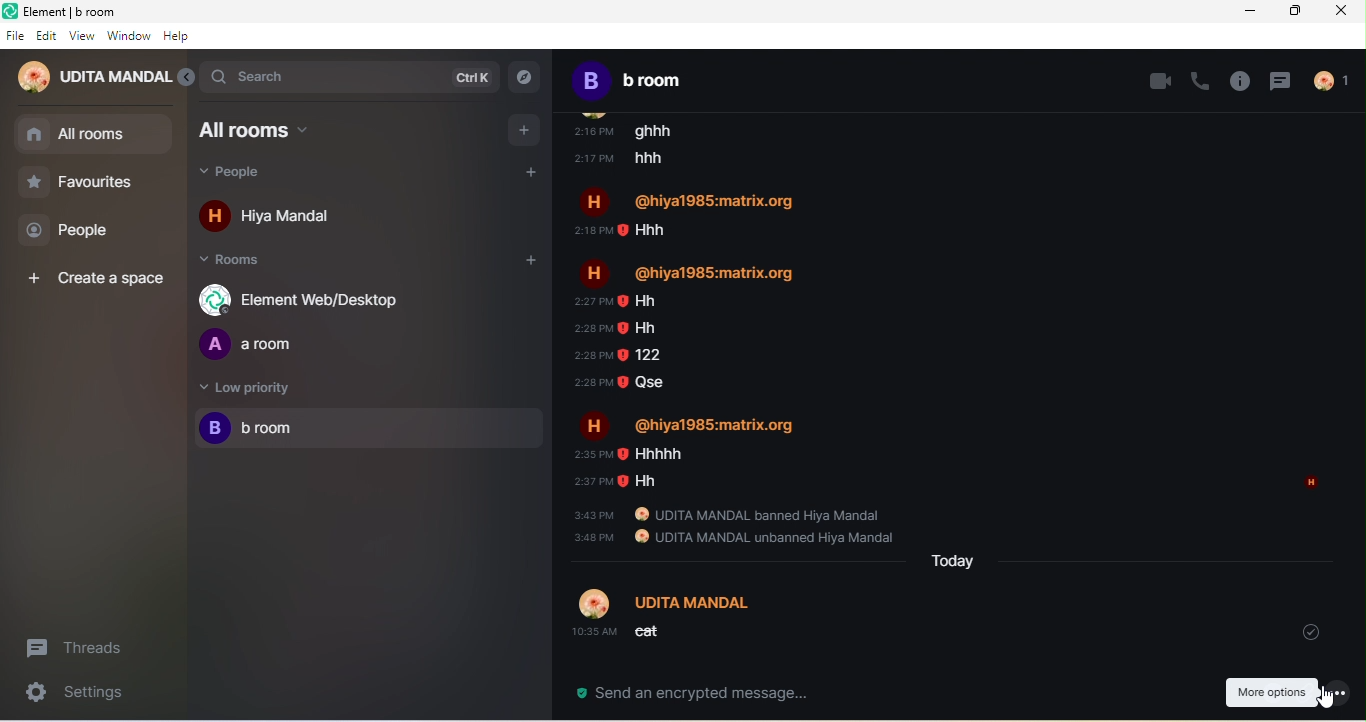 This screenshot has height=722, width=1366. What do you see at coordinates (370, 430) in the screenshot?
I see `b room` at bounding box center [370, 430].